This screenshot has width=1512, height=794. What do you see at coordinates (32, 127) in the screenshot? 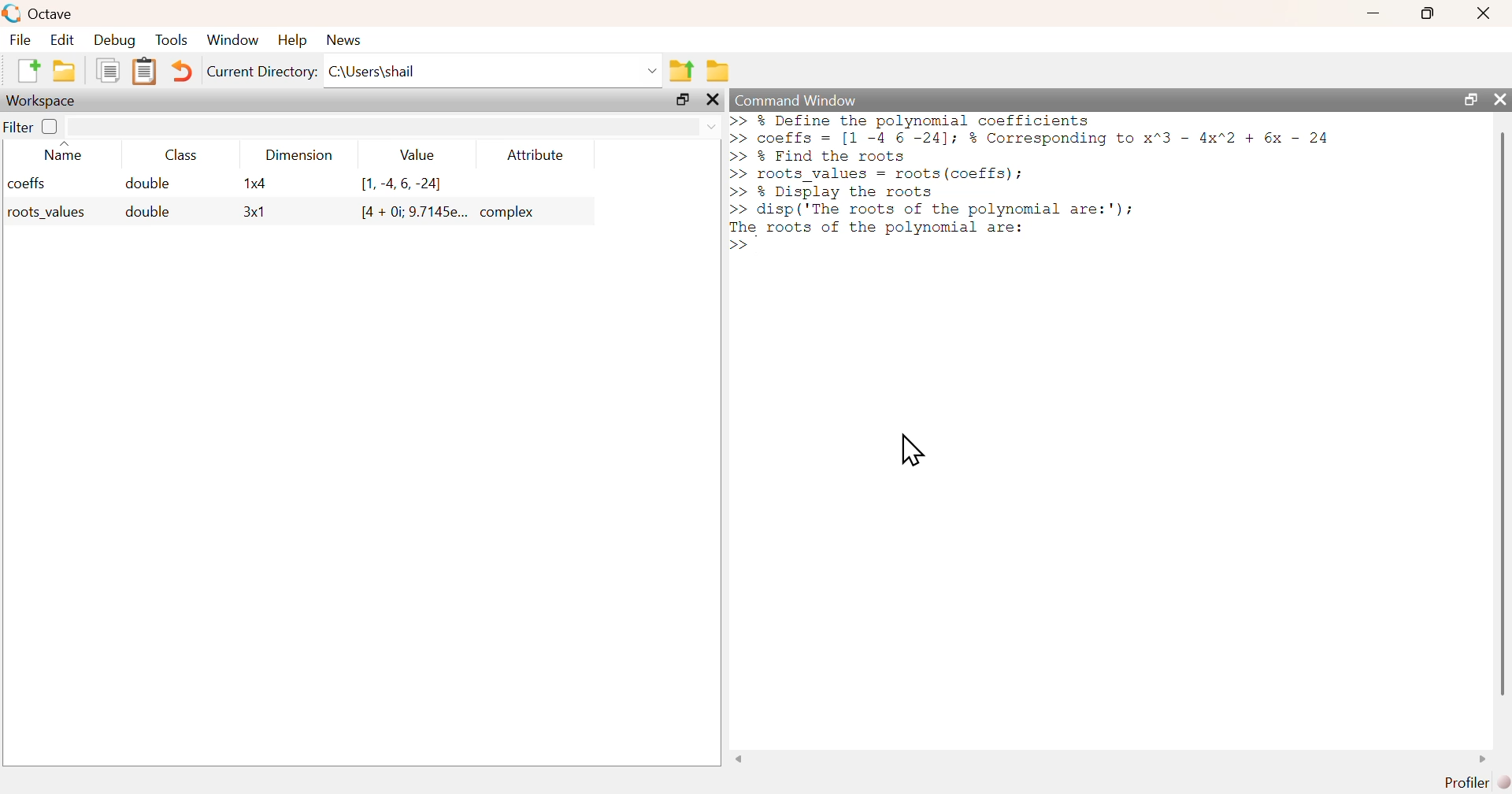
I see `Filter` at bounding box center [32, 127].